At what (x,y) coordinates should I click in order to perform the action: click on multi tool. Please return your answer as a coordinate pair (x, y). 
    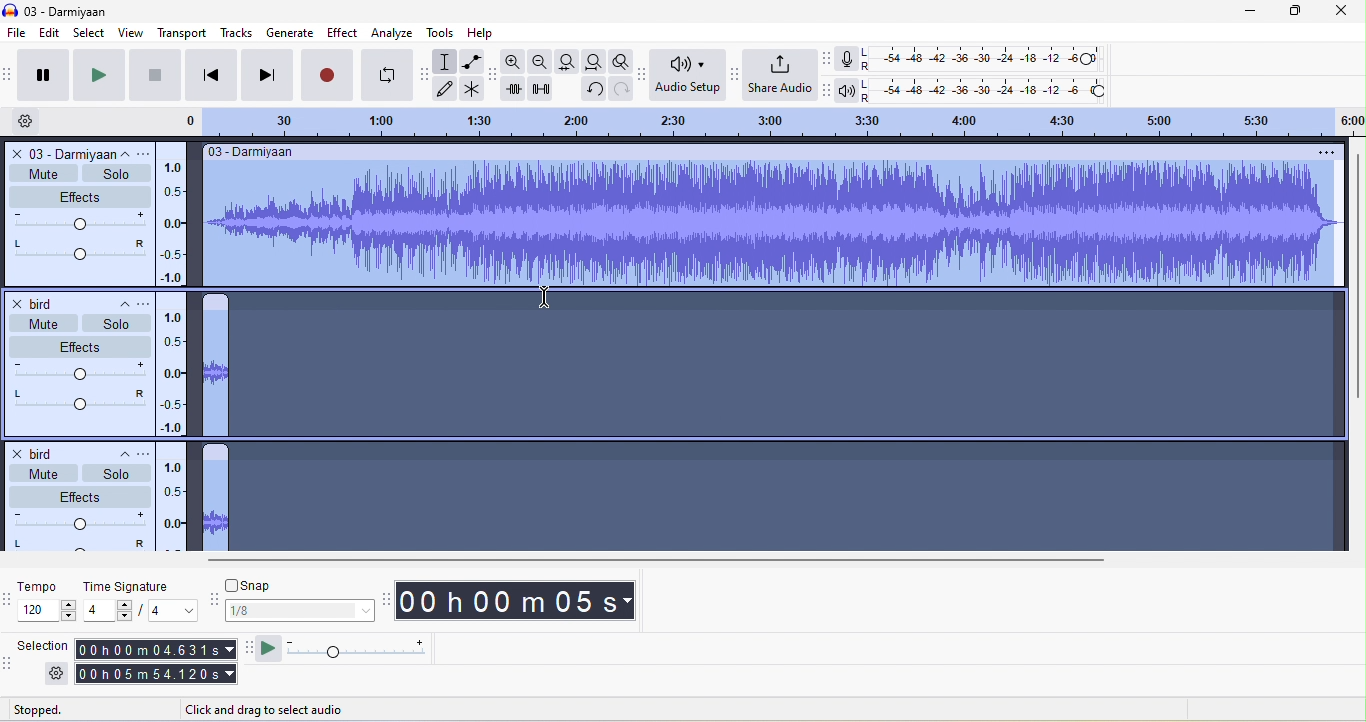
    Looking at the image, I should click on (470, 91).